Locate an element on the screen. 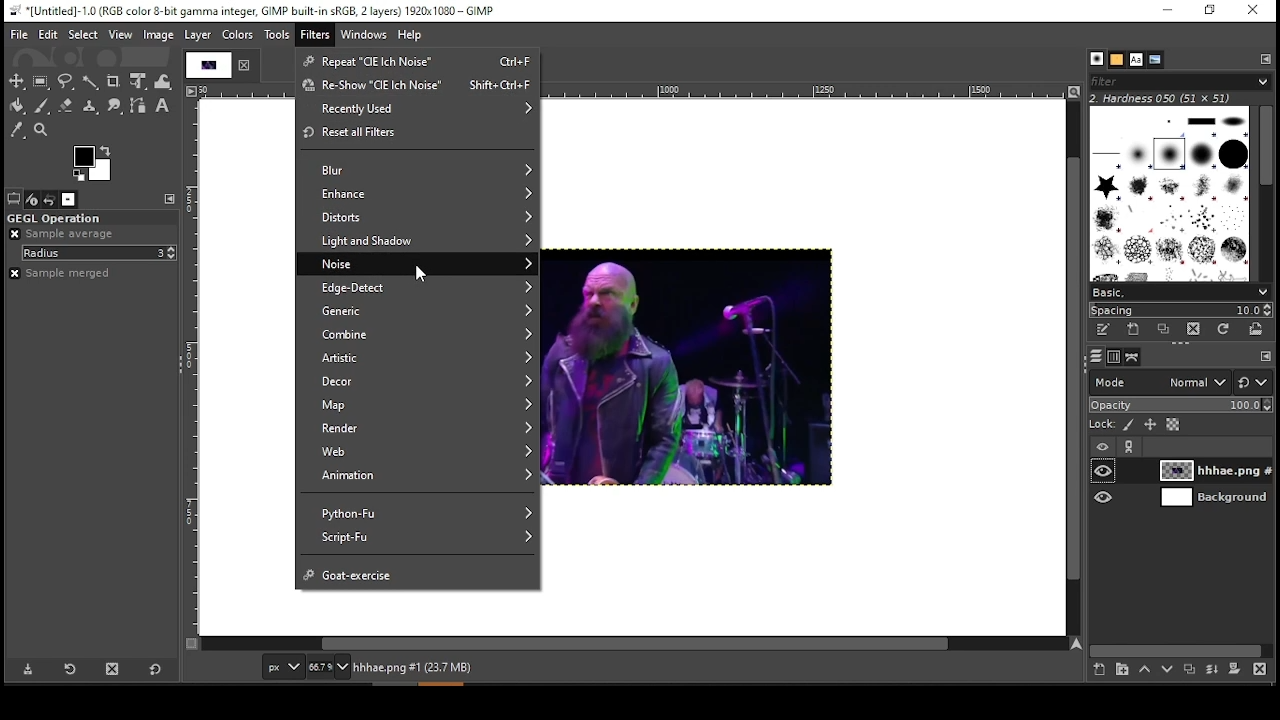 The width and height of the screenshot is (1280, 720). paths tool is located at coordinates (140, 107).